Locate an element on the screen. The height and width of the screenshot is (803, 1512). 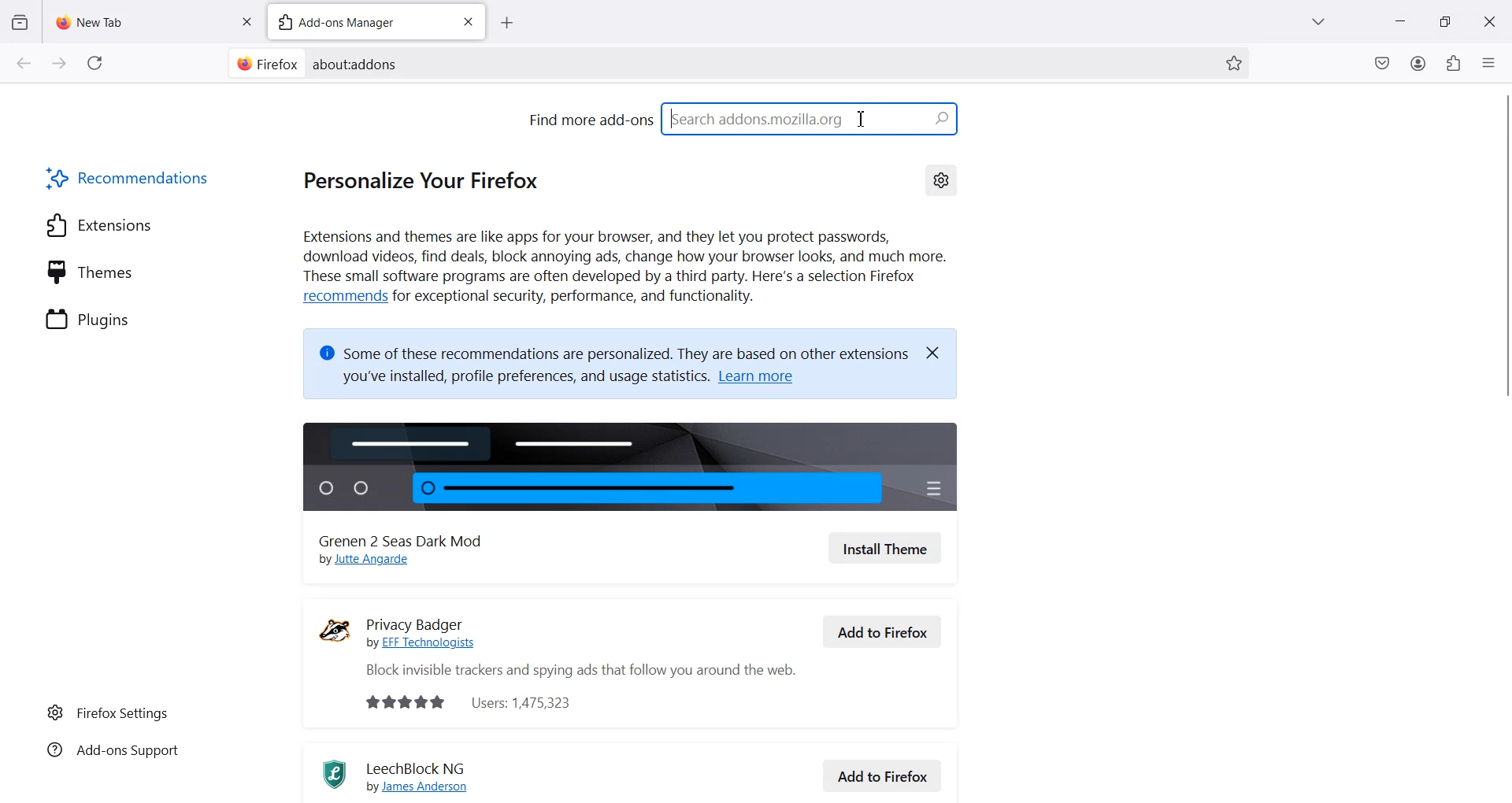
List all Tab is located at coordinates (1317, 21).